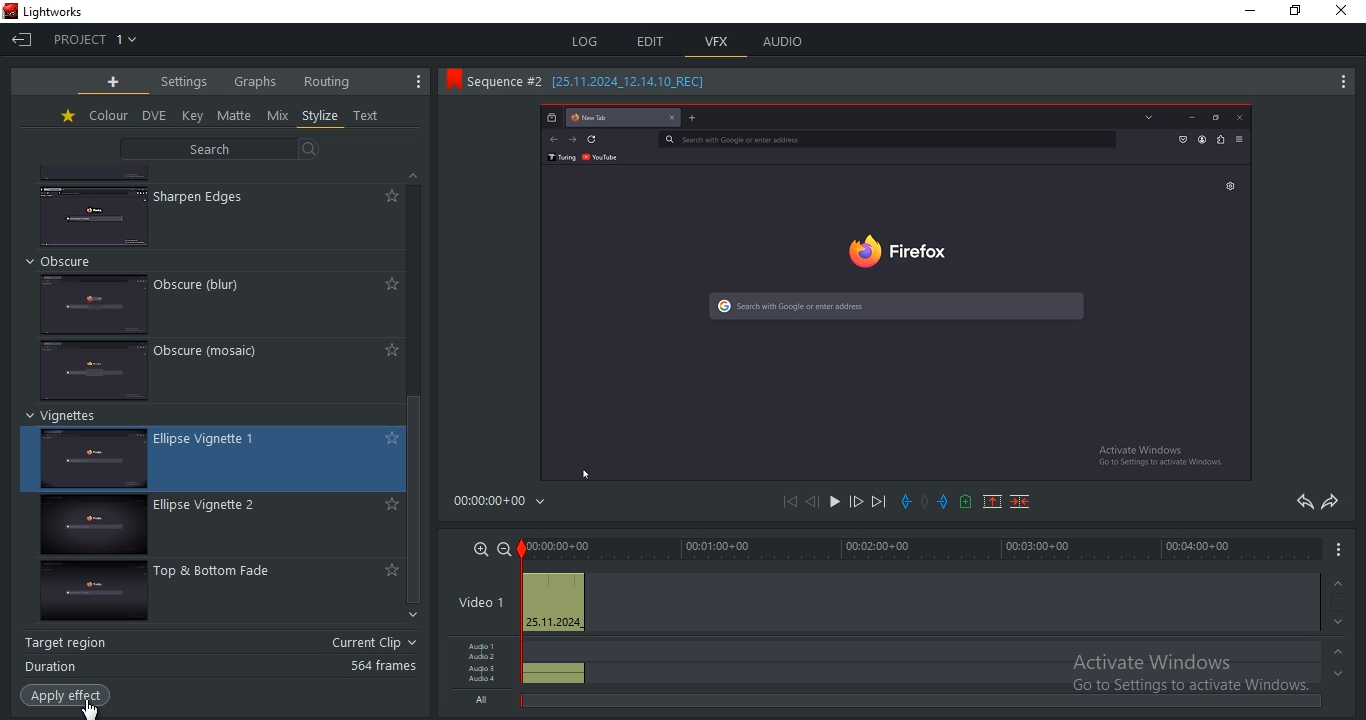 This screenshot has height=720, width=1366. Describe the element at coordinates (524, 608) in the screenshot. I see `Sequence slider` at that location.